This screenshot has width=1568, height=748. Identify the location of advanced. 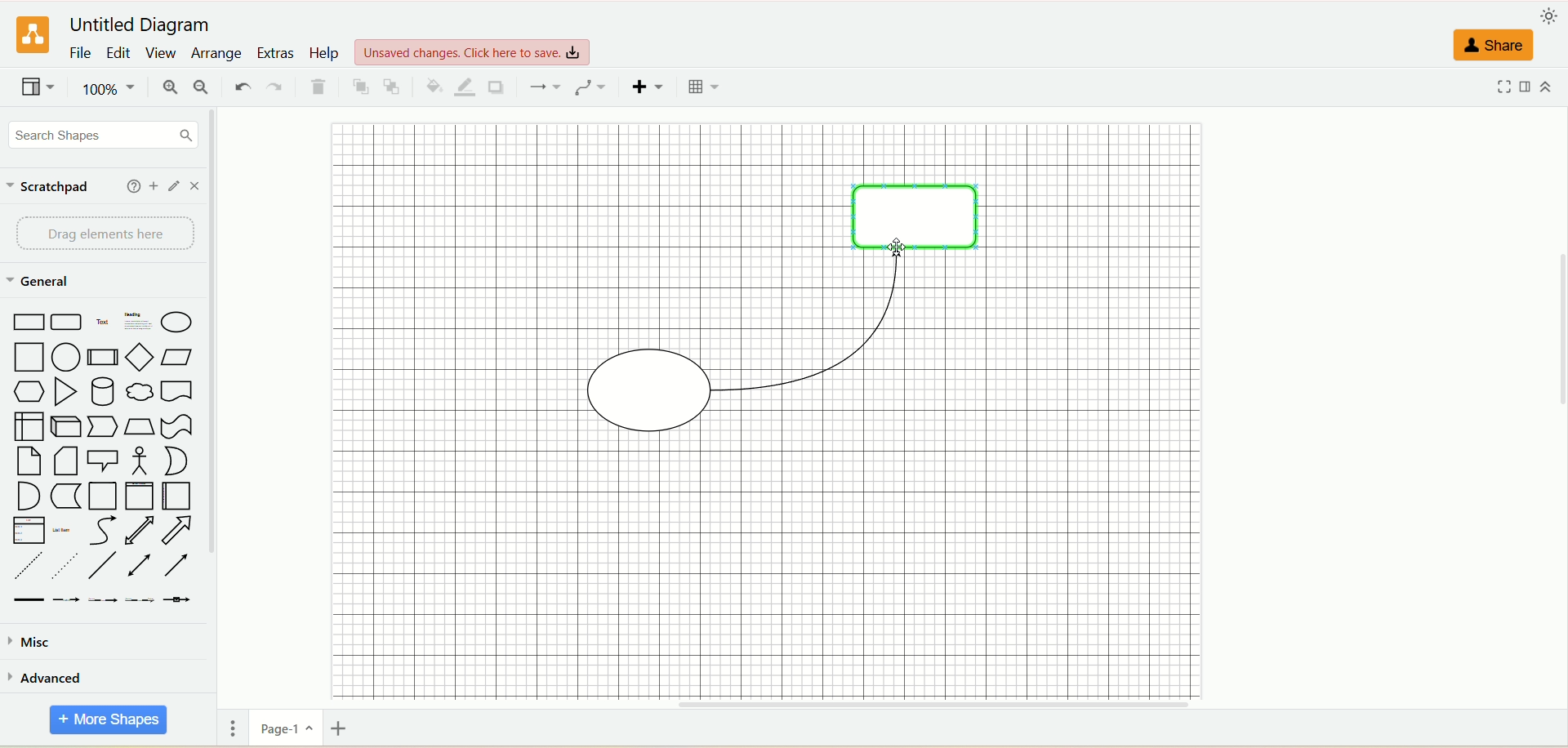
(47, 677).